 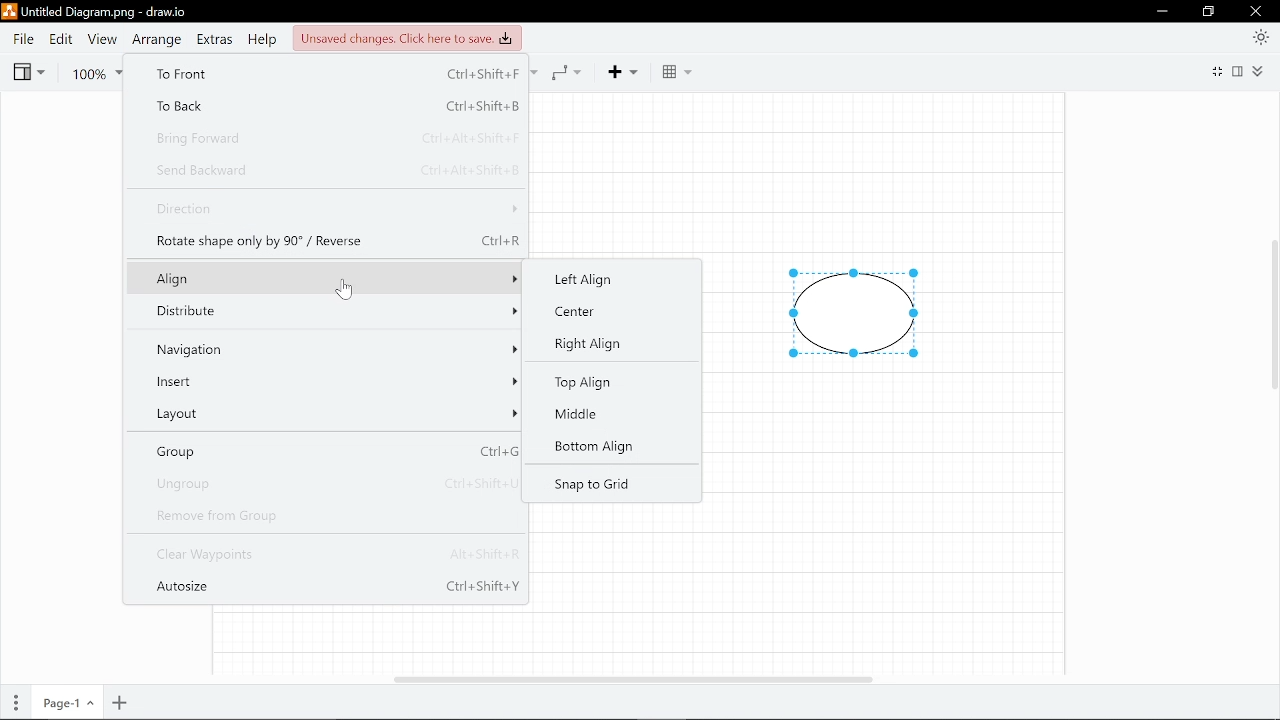 I want to click on Middle, so click(x=586, y=415).